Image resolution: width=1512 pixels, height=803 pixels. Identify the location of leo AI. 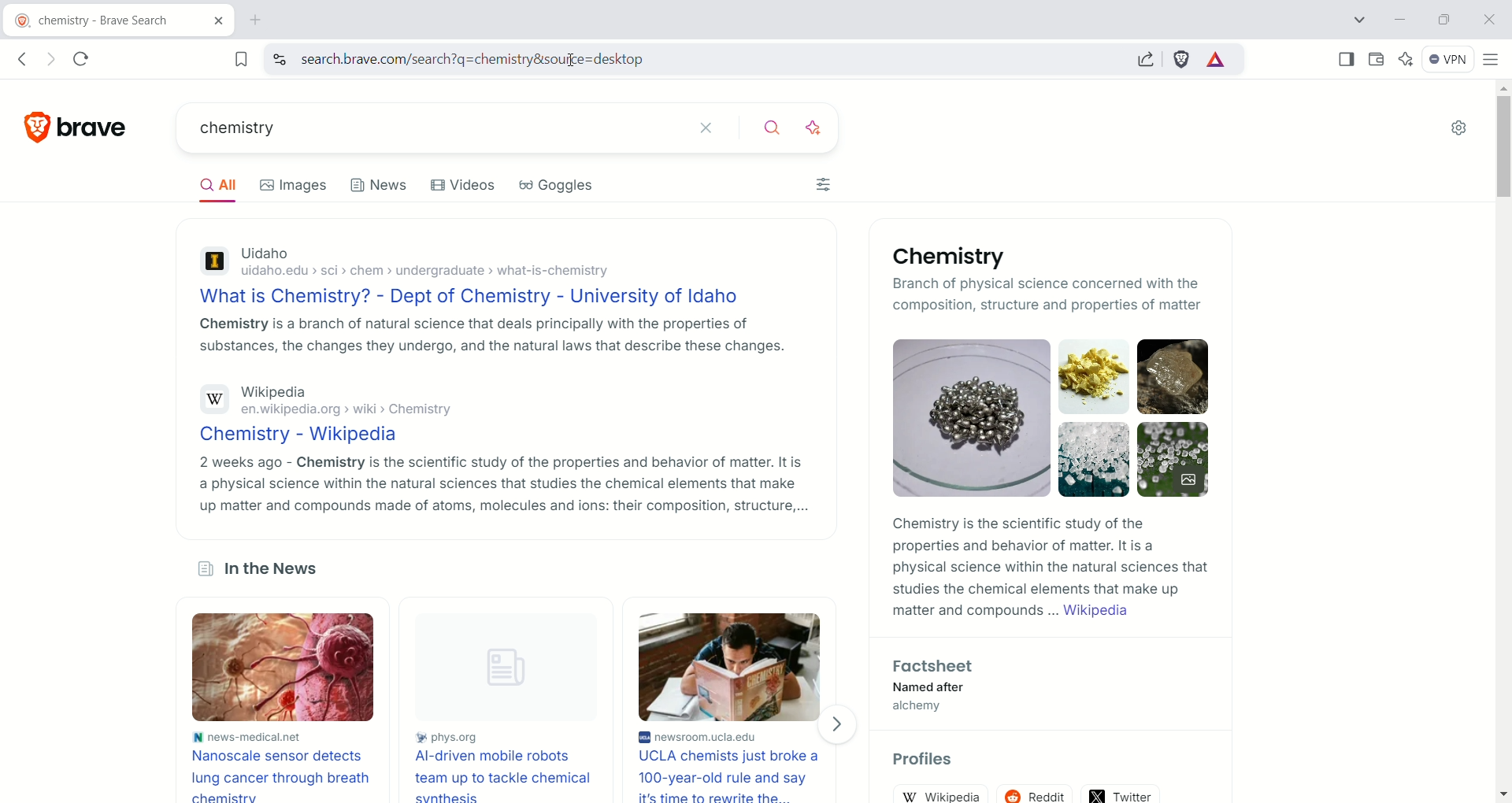
(1406, 60).